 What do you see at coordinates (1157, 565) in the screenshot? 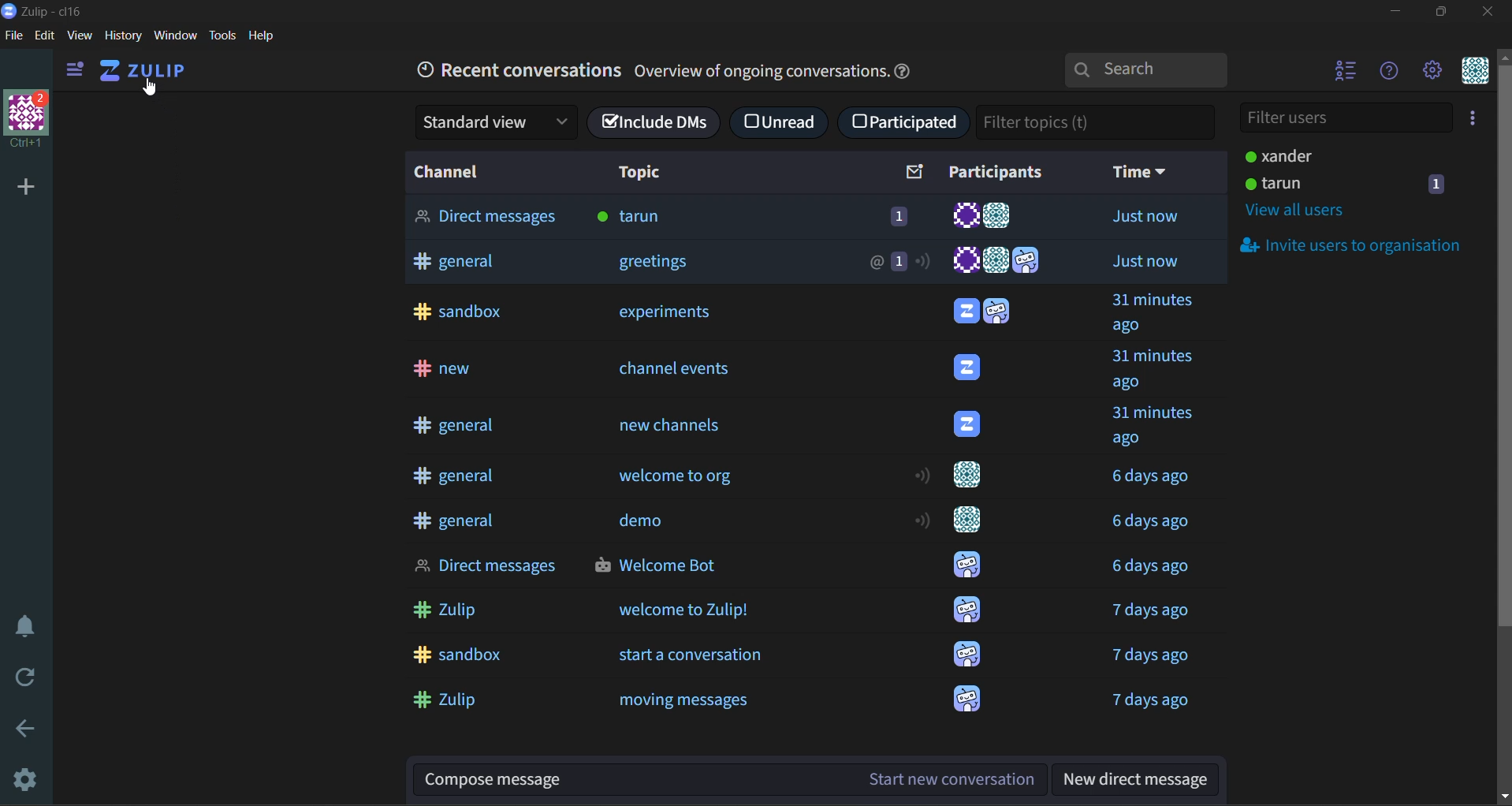
I see `Time` at bounding box center [1157, 565].